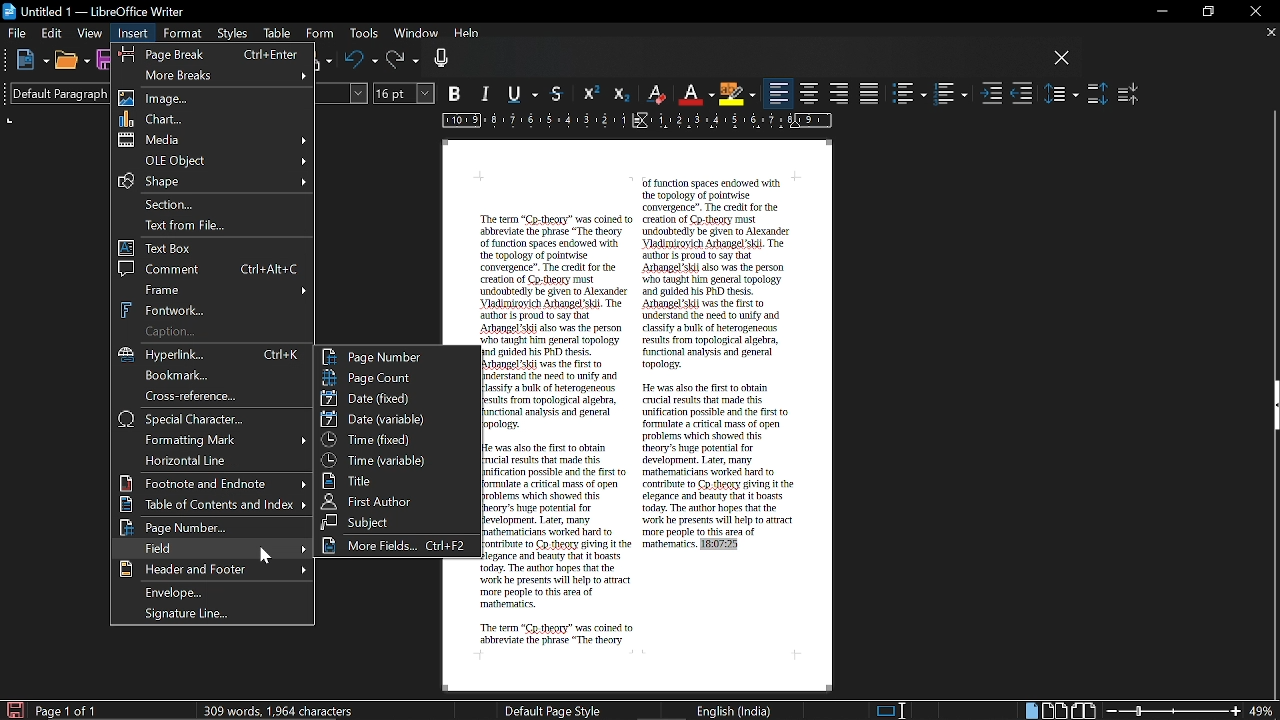  Describe the element at coordinates (211, 181) in the screenshot. I see `Shape` at that location.